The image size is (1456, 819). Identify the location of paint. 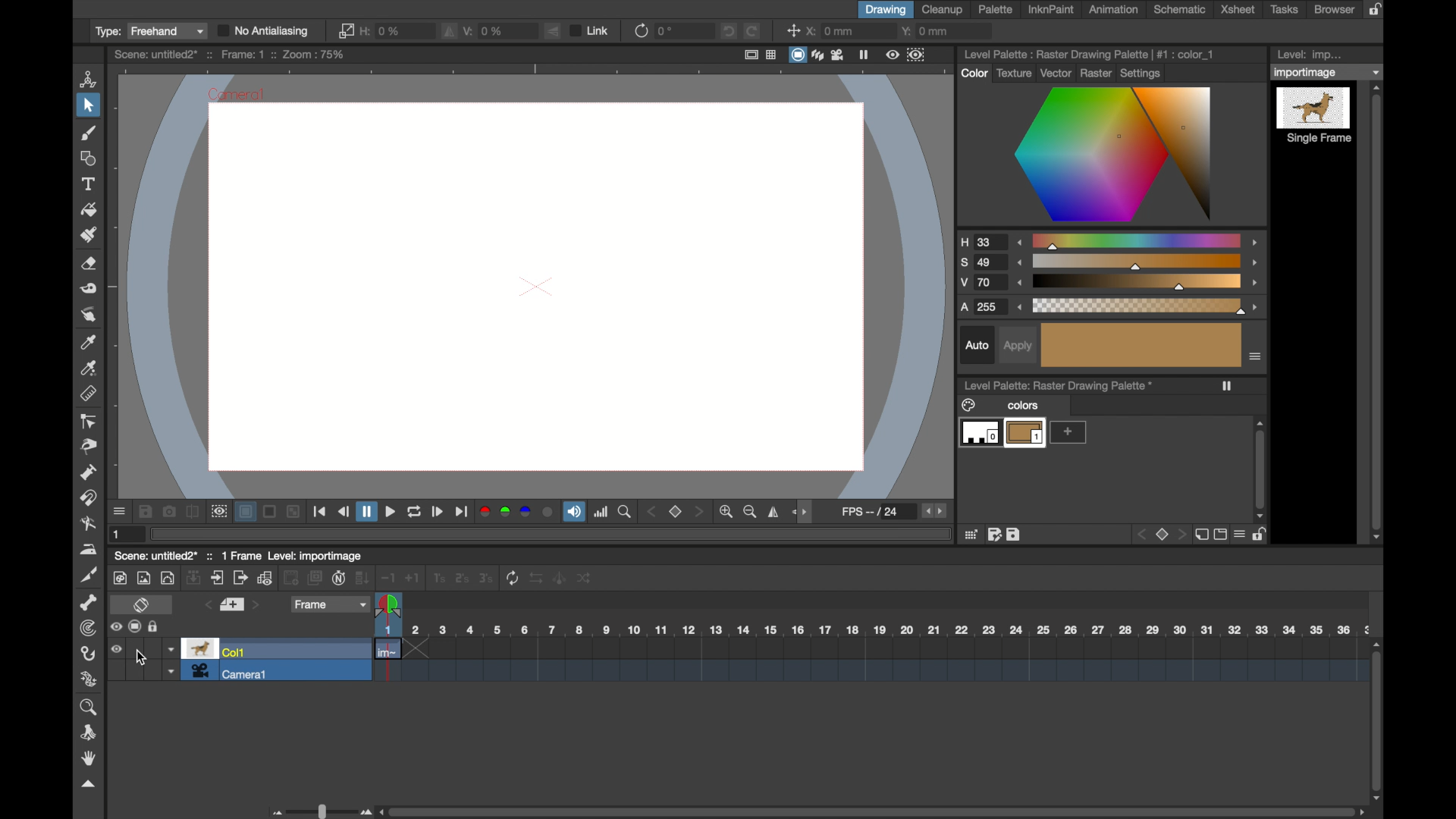
(119, 578).